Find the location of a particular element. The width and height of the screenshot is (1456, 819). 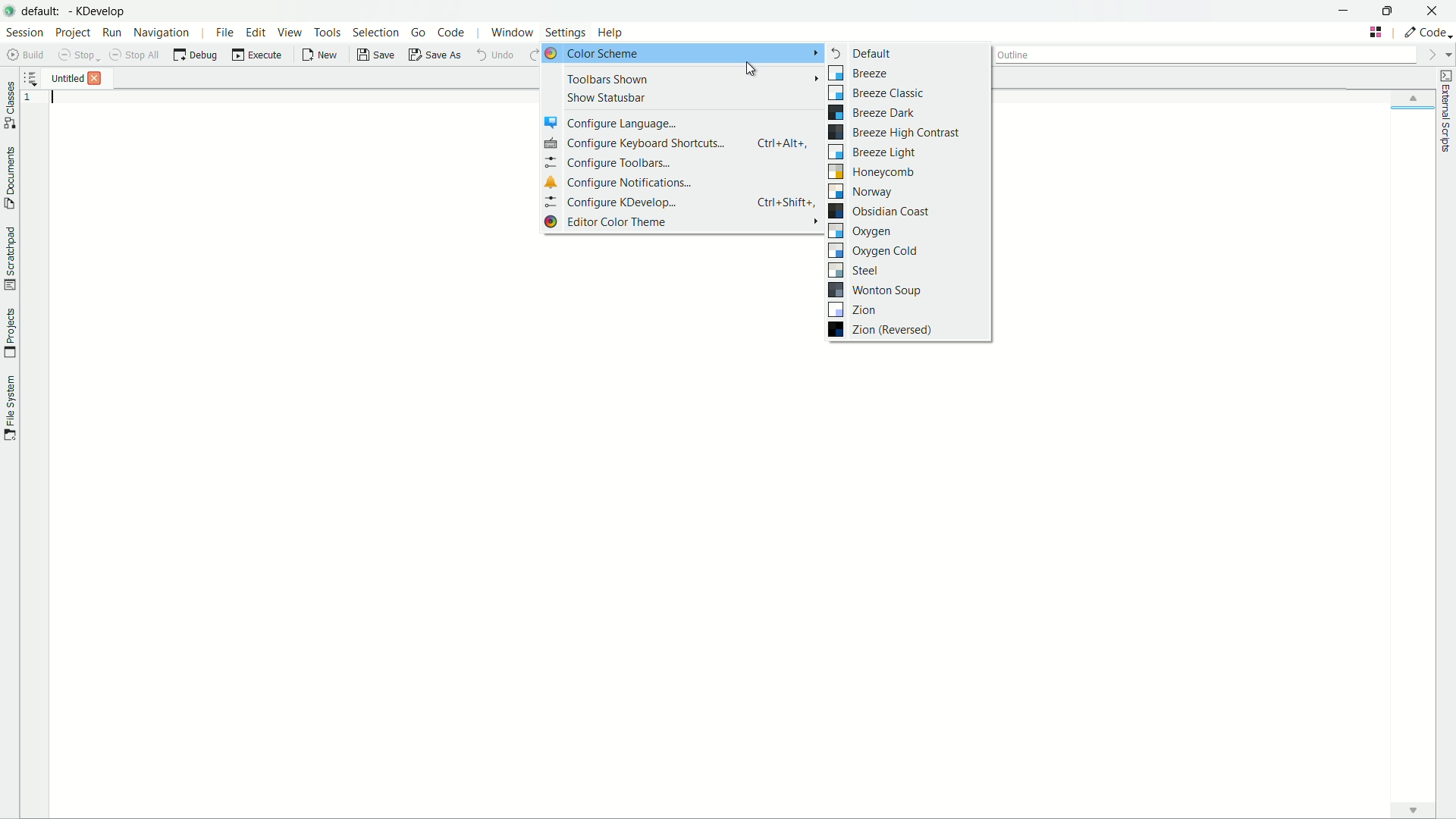

obsidian coast is located at coordinates (883, 211).